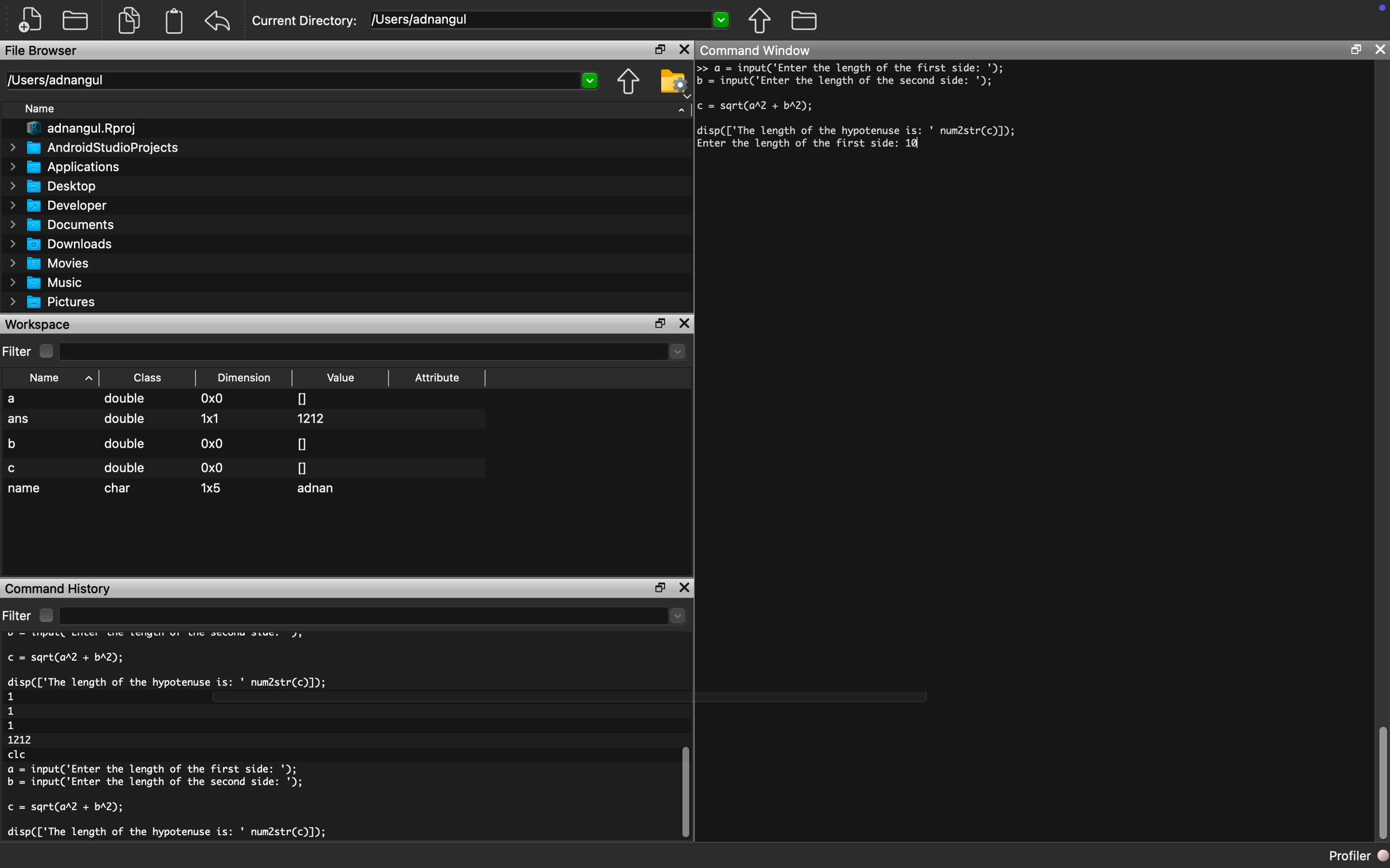  I want to click on folder, so click(804, 19).